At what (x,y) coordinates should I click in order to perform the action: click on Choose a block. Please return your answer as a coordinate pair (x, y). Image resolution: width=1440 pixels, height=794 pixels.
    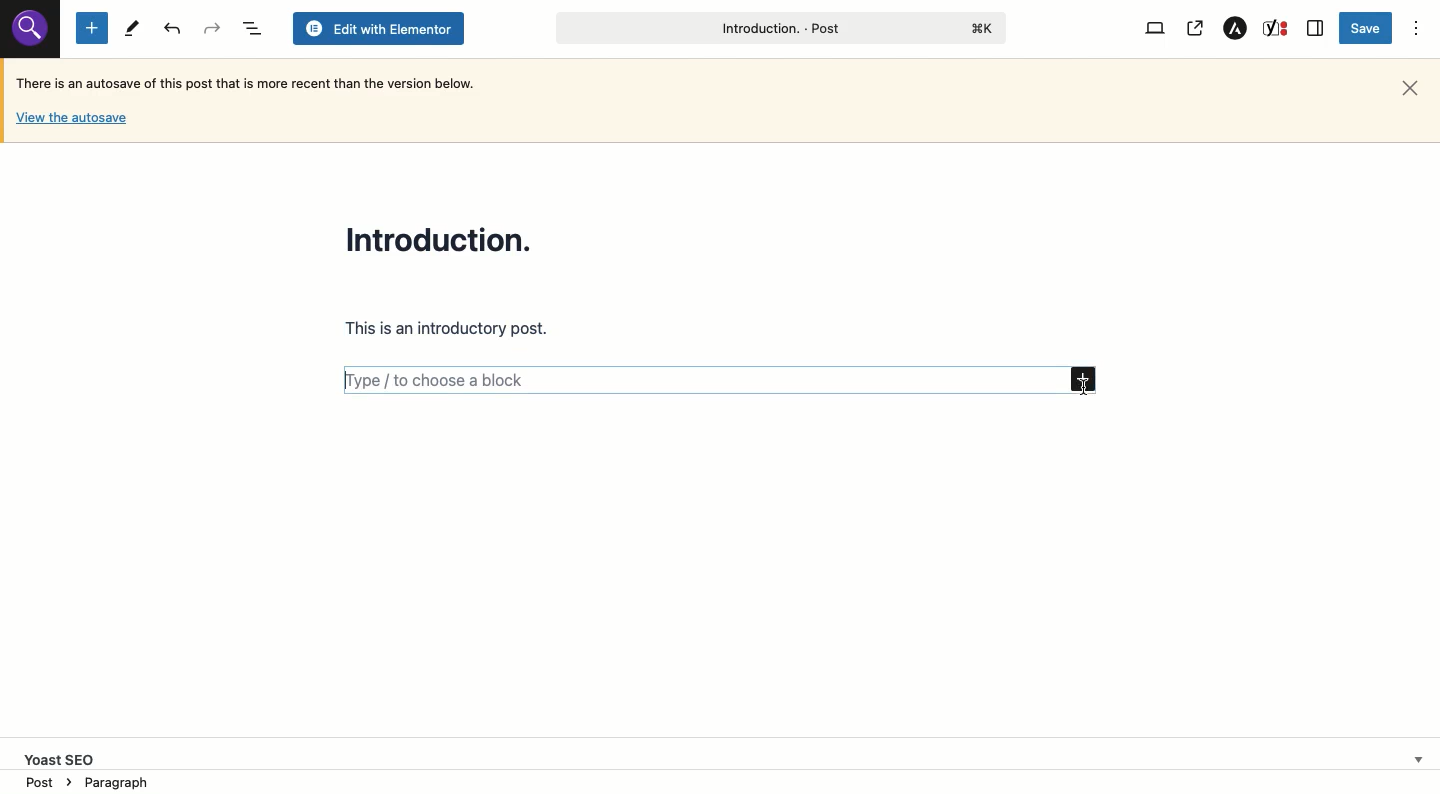
    Looking at the image, I should click on (699, 379).